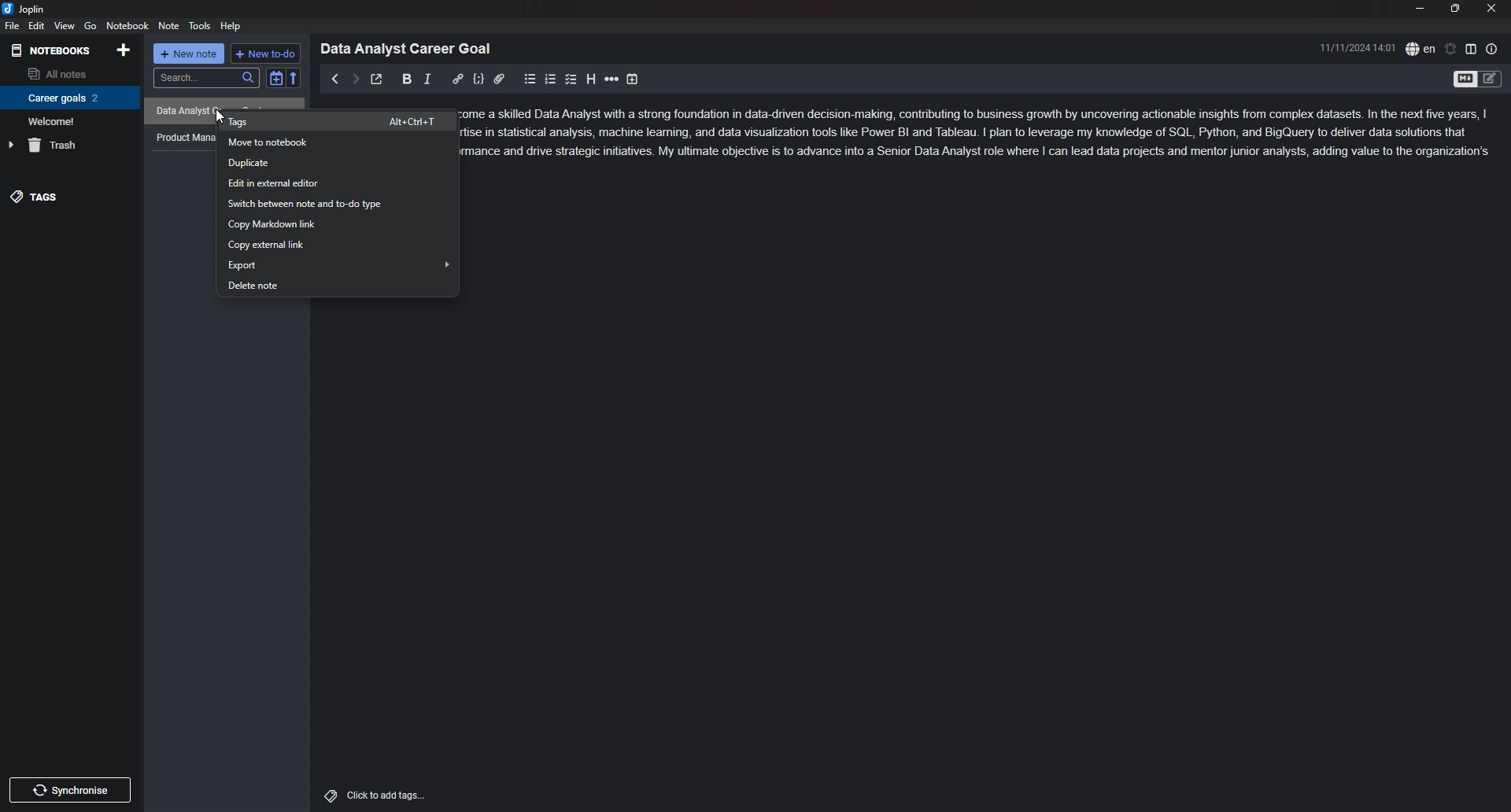  I want to click on add notebook, so click(125, 50).